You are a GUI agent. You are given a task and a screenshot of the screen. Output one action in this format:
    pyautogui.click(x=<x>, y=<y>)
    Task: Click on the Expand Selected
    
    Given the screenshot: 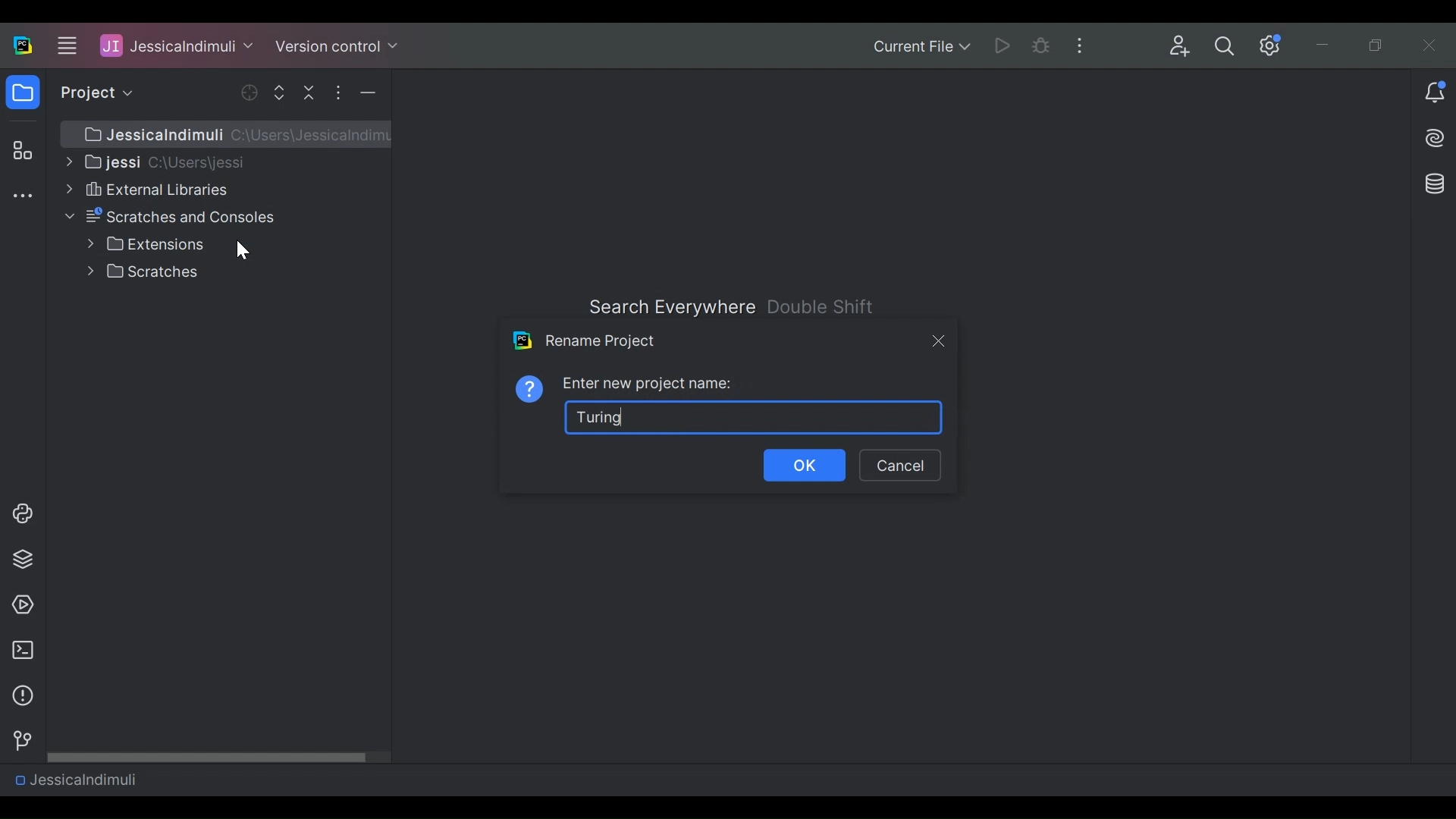 What is the action you would take?
    pyautogui.click(x=283, y=92)
    